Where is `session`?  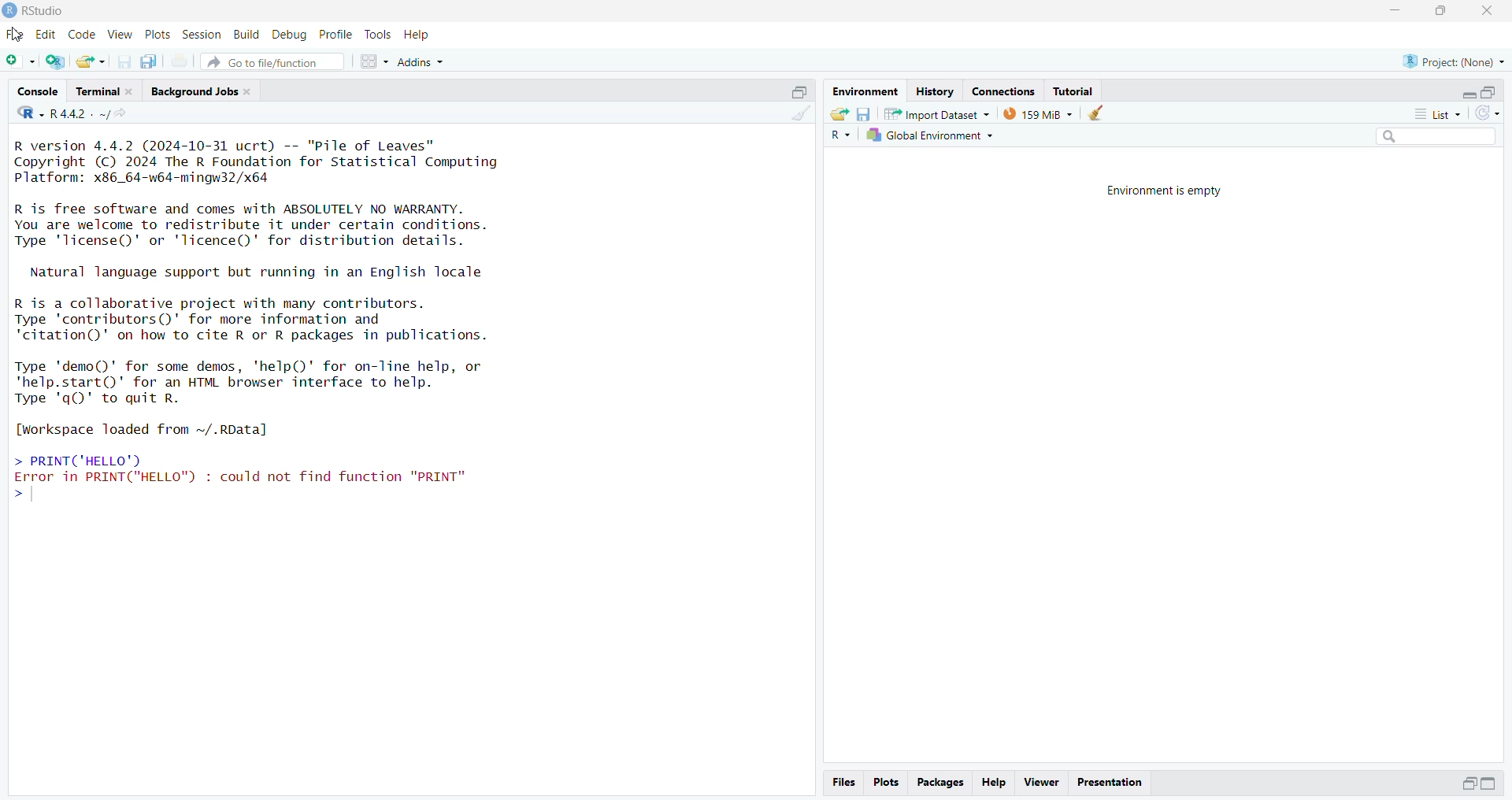
session is located at coordinates (202, 35).